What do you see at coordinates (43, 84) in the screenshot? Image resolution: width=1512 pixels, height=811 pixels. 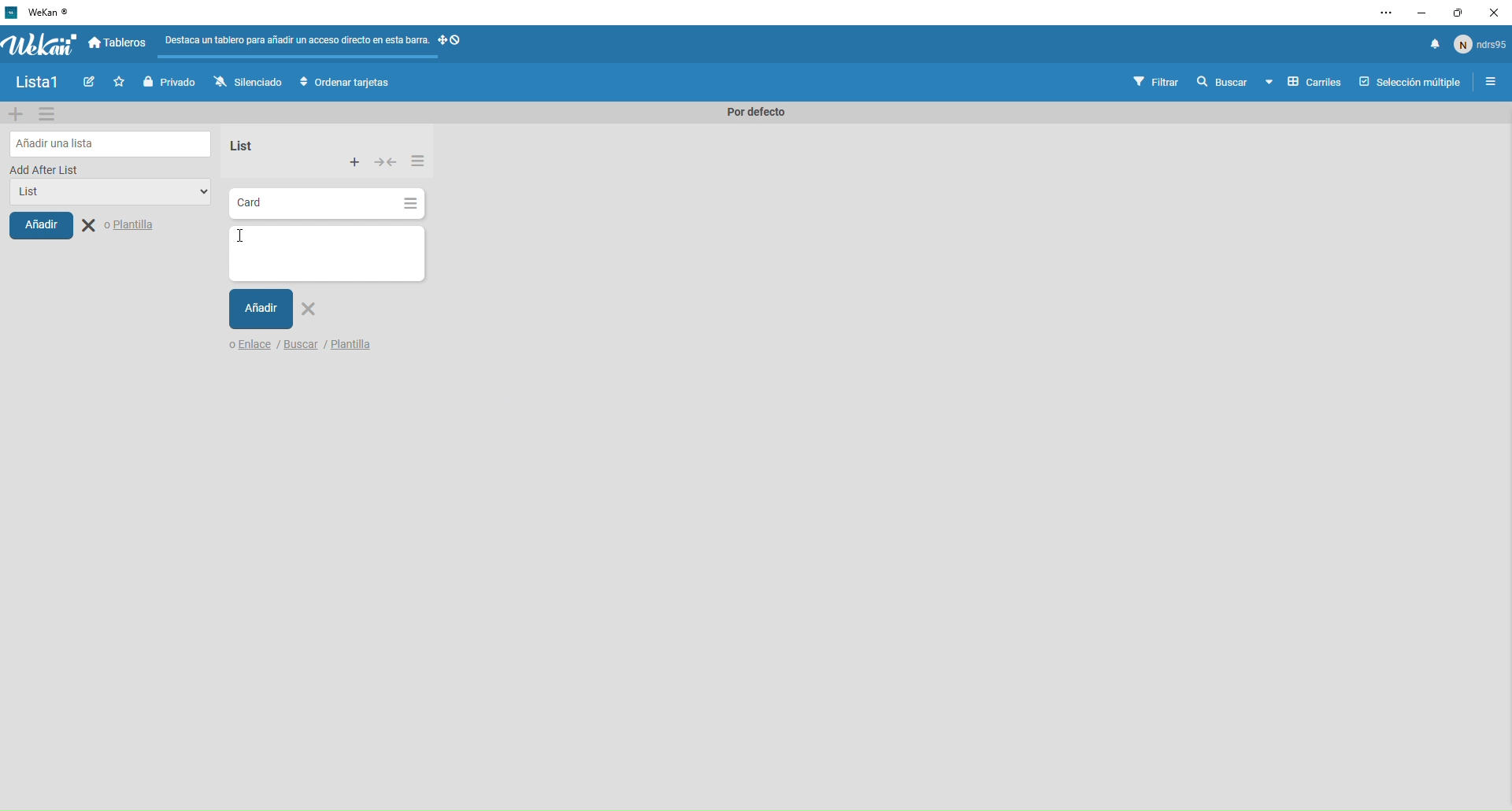 I see `List1` at bounding box center [43, 84].